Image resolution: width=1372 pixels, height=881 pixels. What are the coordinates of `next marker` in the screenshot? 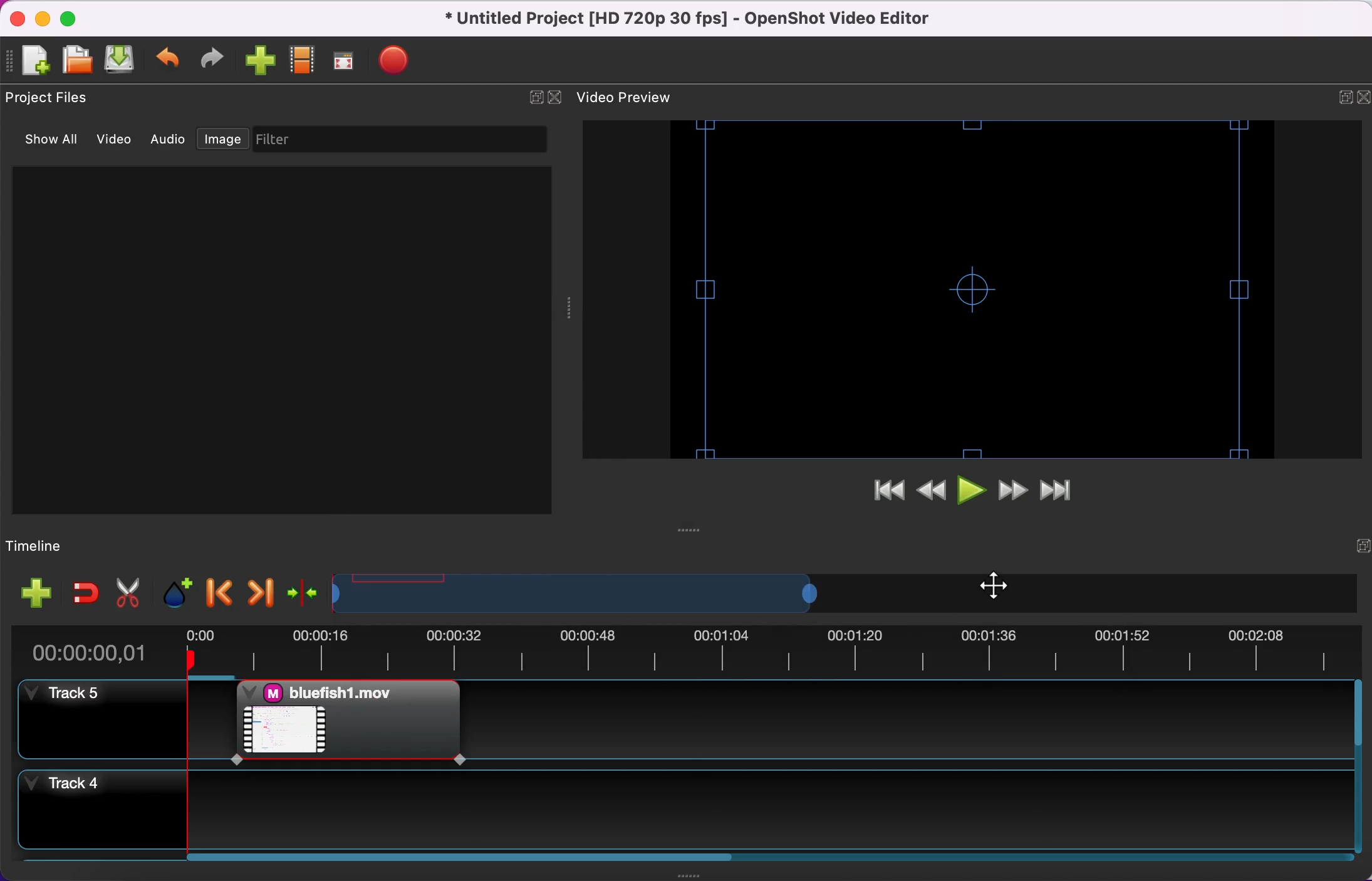 It's located at (261, 594).